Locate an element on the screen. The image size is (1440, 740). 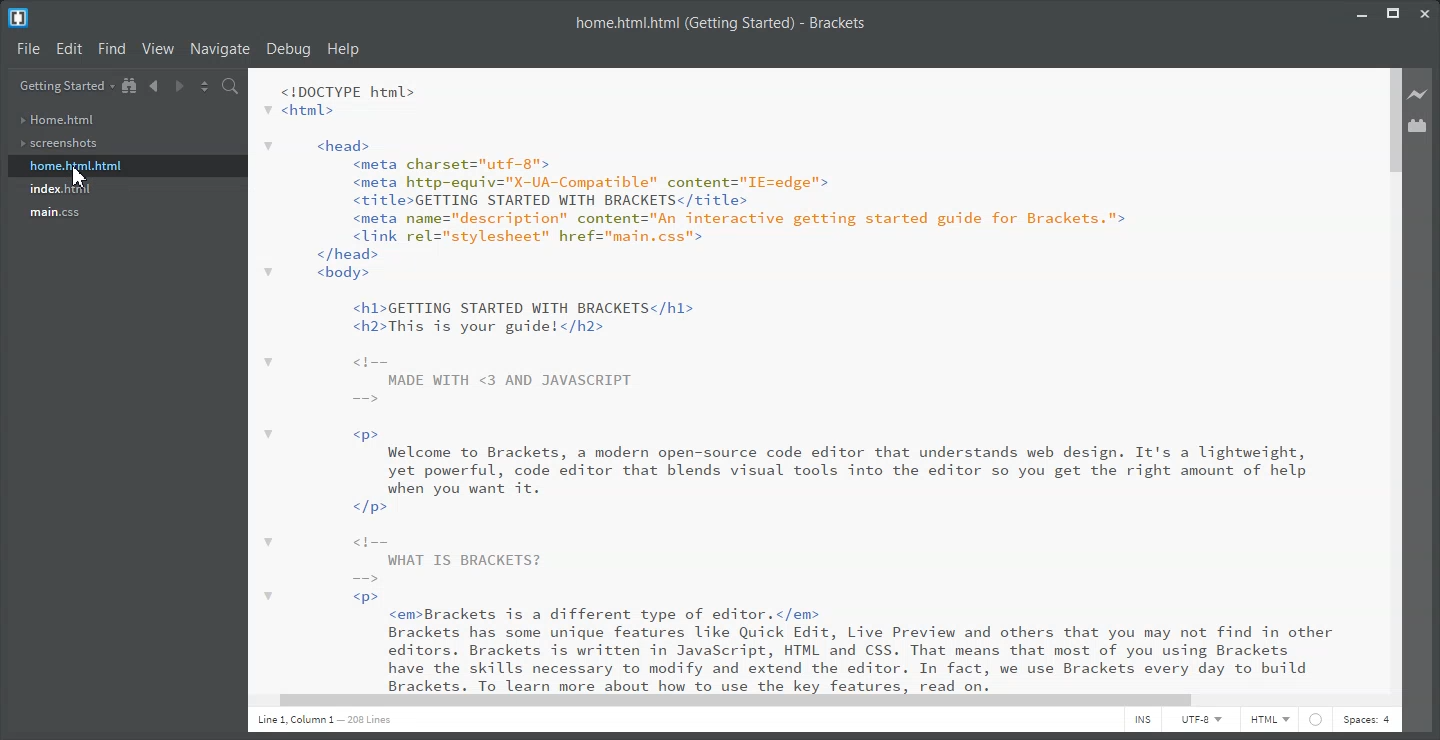
Extension Manager is located at coordinates (1418, 125).